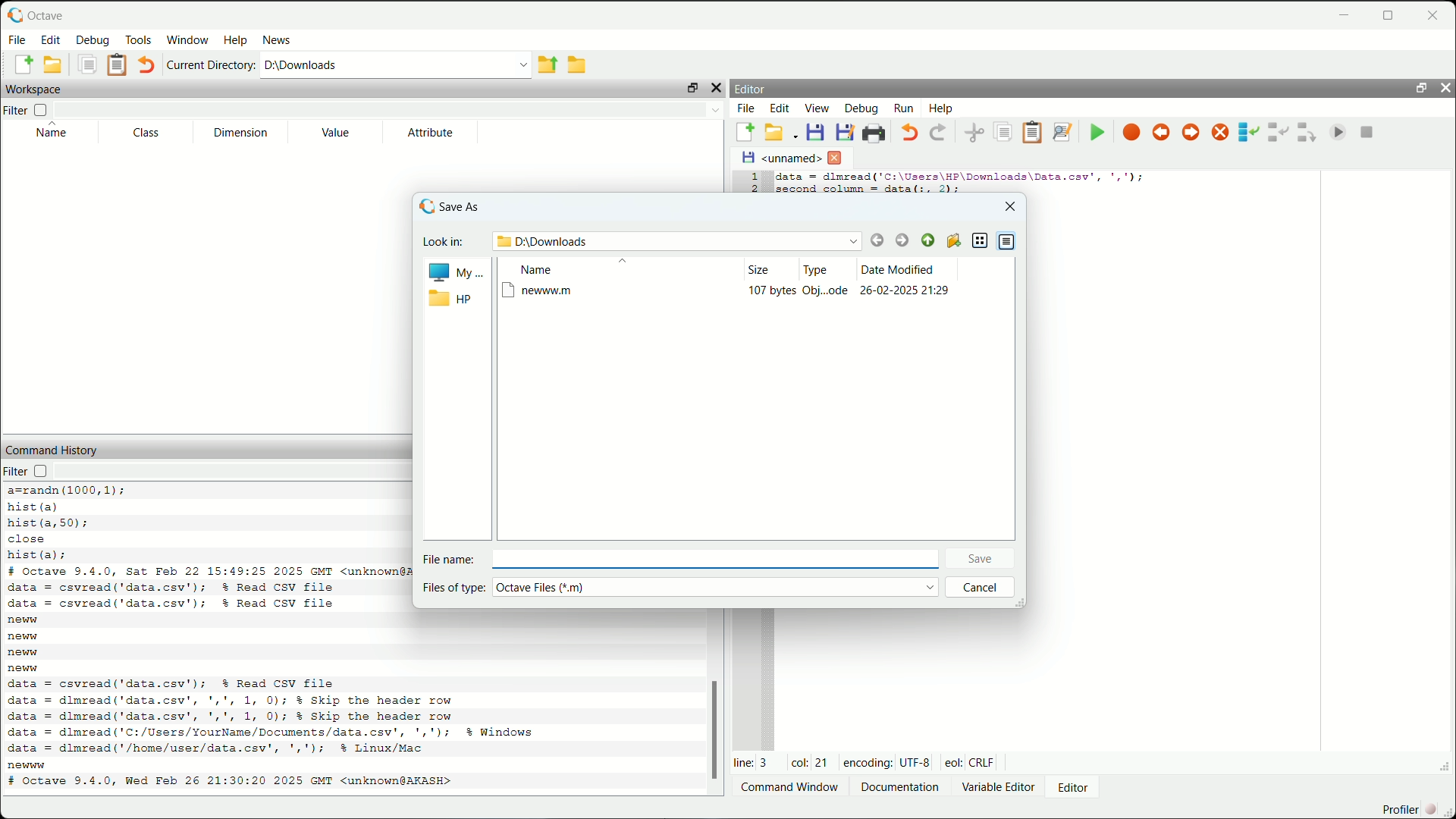  Describe the element at coordinates (945, 110) in the screenshot. I see `help` at that location.